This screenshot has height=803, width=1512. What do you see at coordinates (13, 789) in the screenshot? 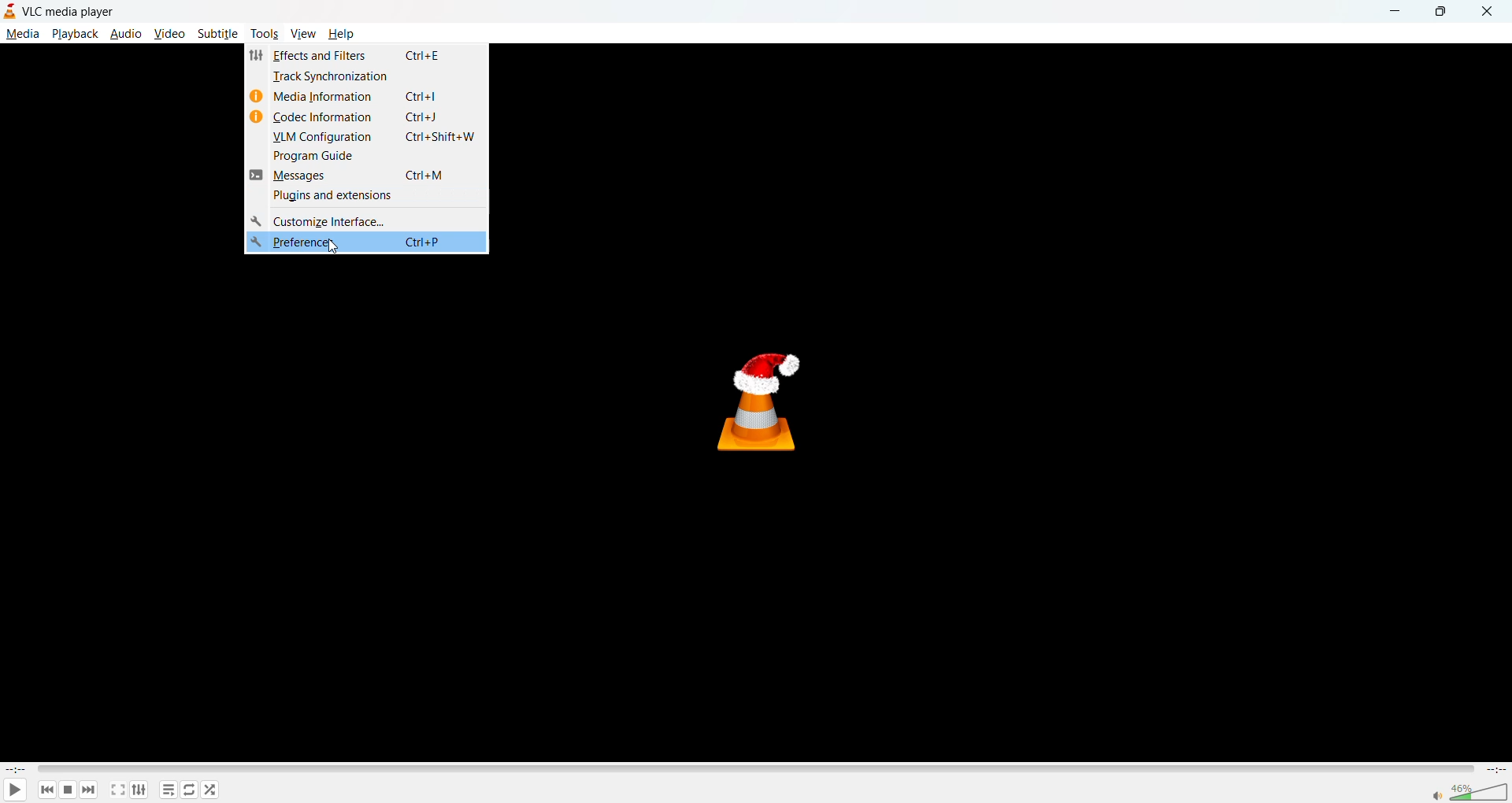
I see `play` at bounding box center [13, 789].